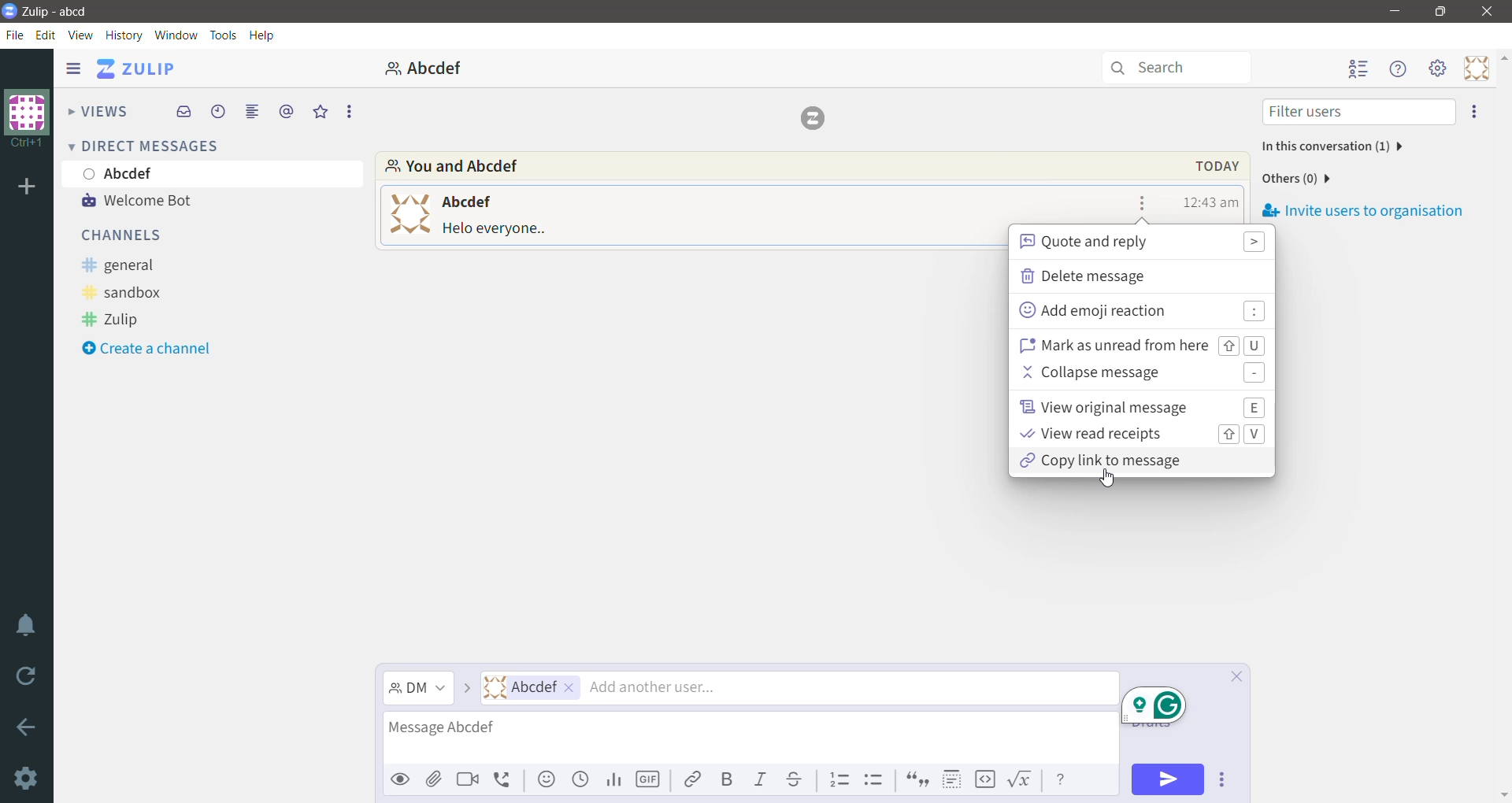  I want to click on Add emoji reaction, so click(1142, 311).